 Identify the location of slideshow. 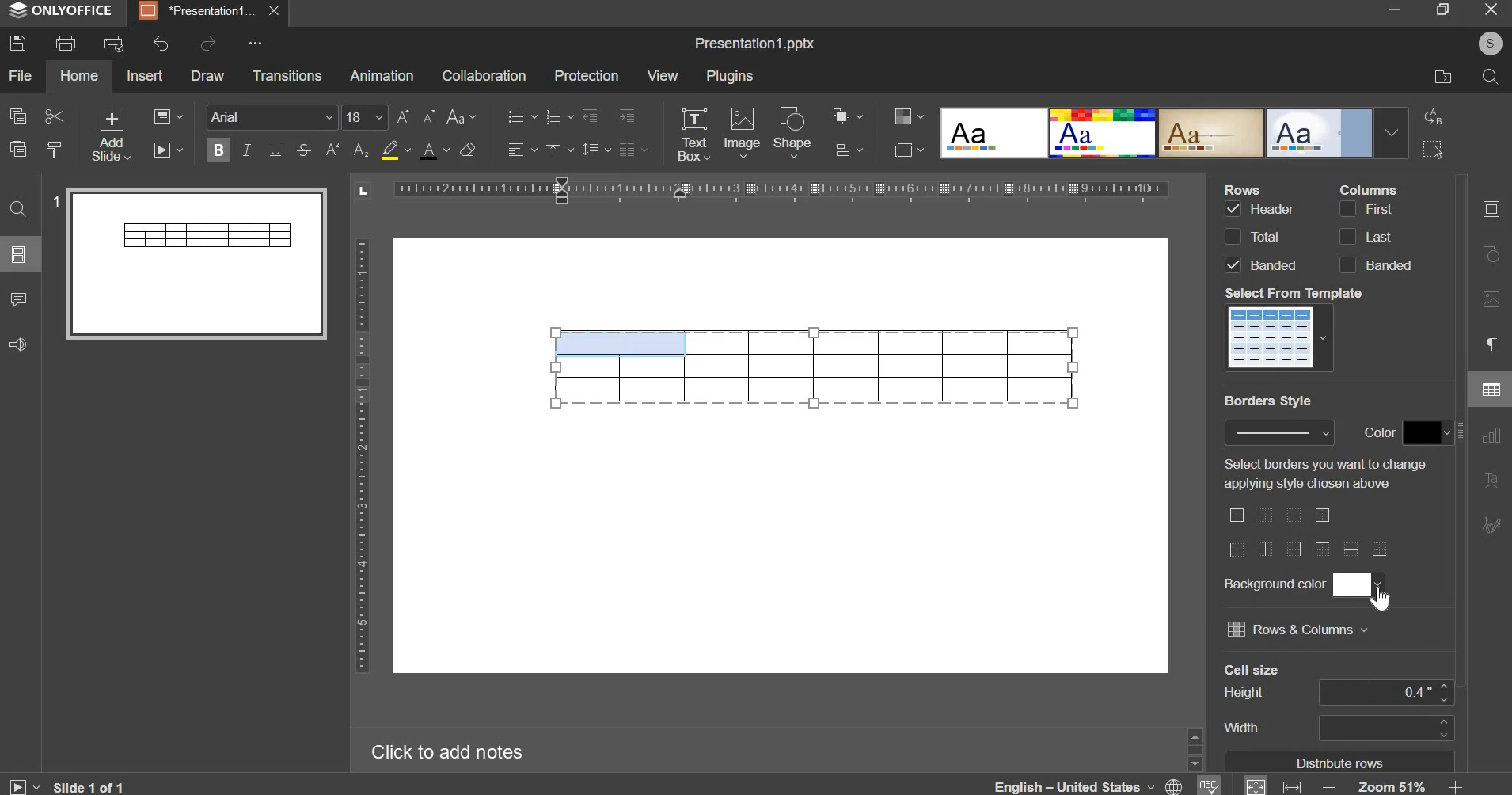
(169, 148).